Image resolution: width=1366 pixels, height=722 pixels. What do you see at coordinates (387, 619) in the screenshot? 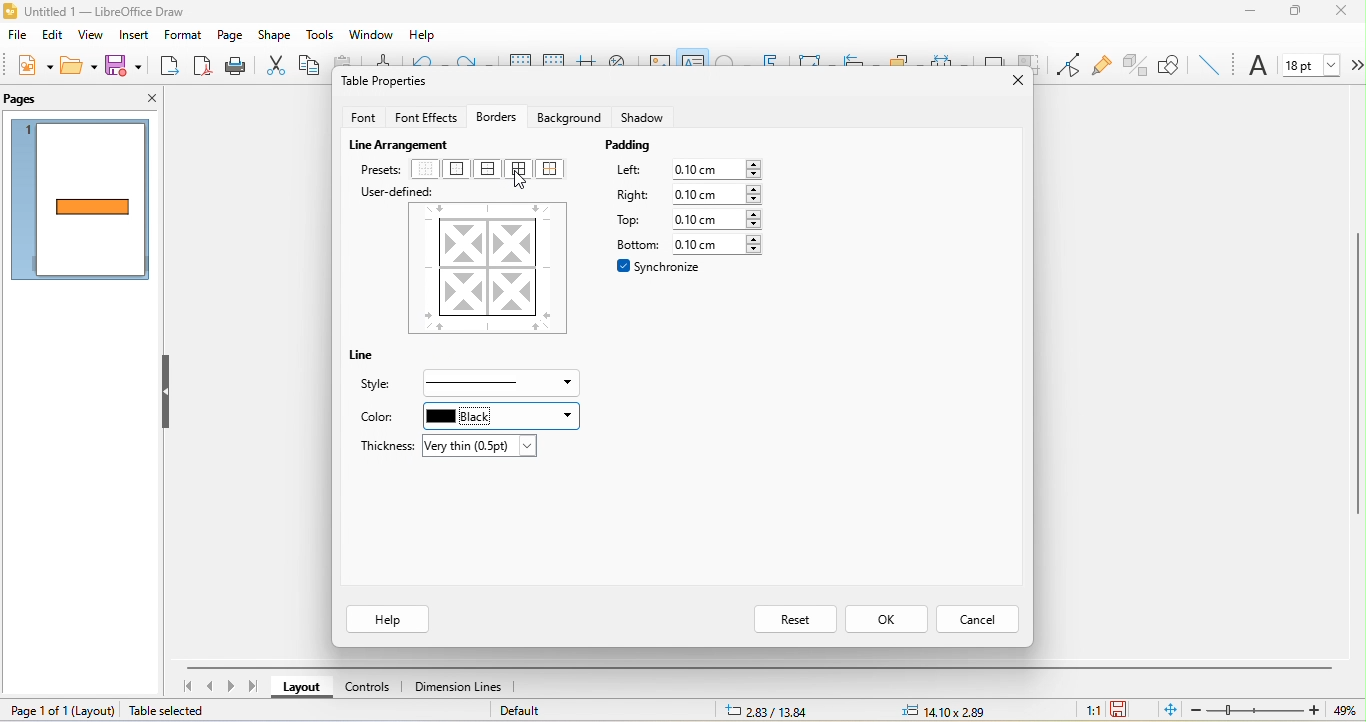
I see `help` at bounding box center [387, 619].